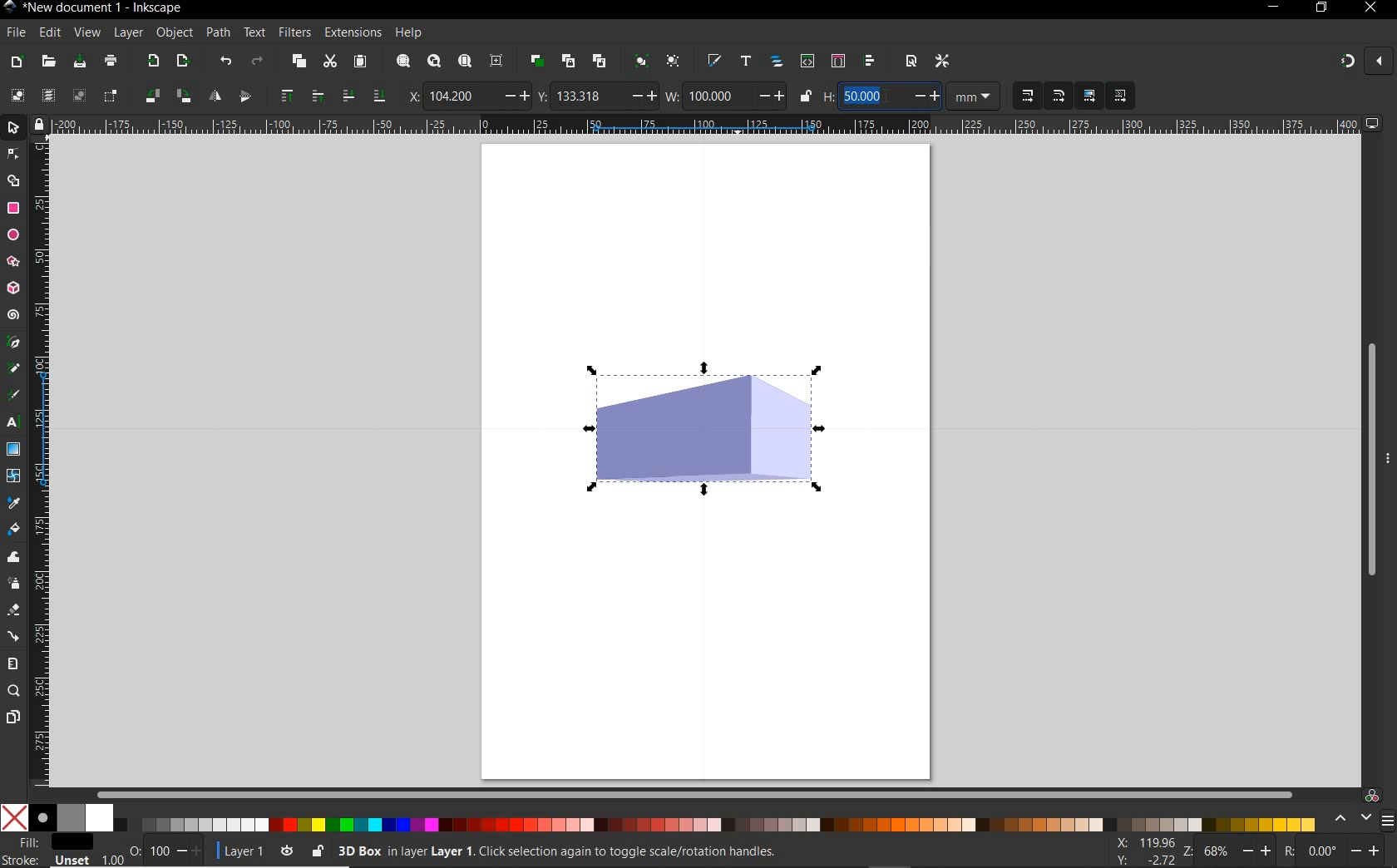  What do you see at coordinates (1378, 60) in the screenshot?
I see `close` at bounding box center [1378, 60].